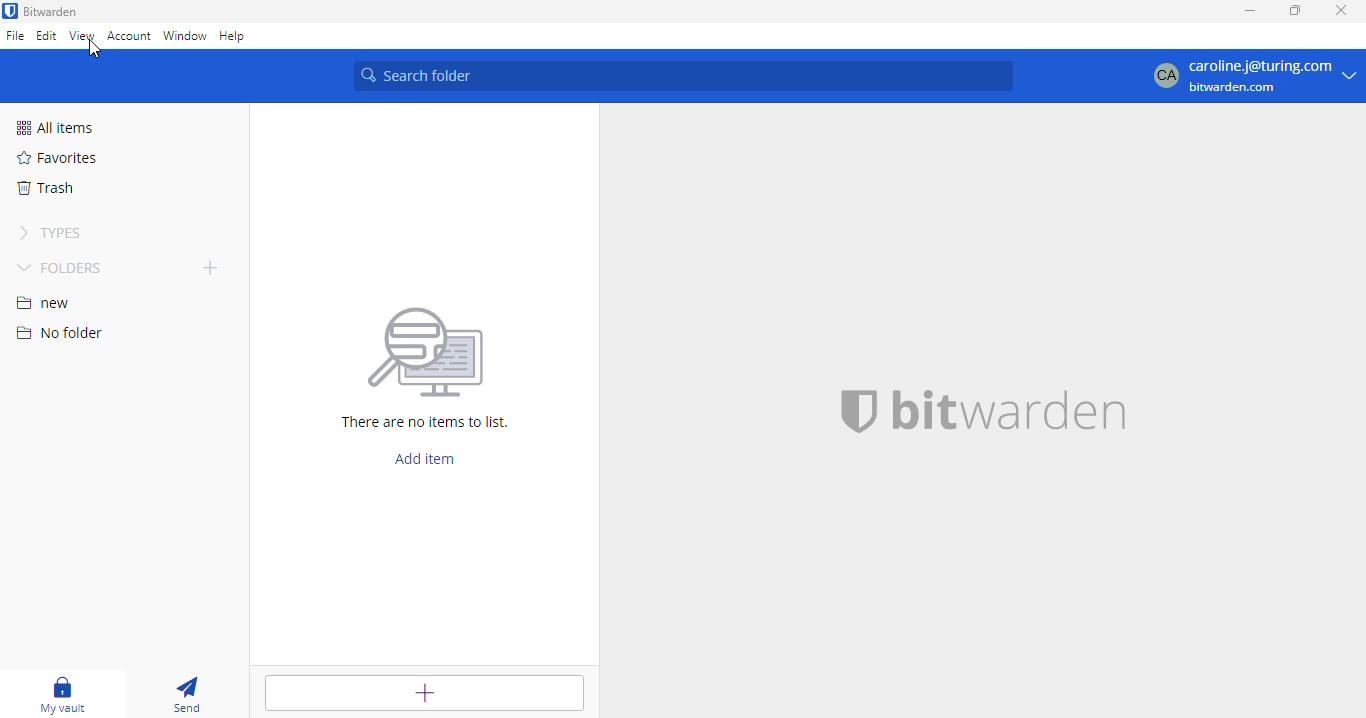 The image size is (1366, 718). Describe the element at coordinates (50, 11) in the screenshot. I see `bitwarden` at that location.